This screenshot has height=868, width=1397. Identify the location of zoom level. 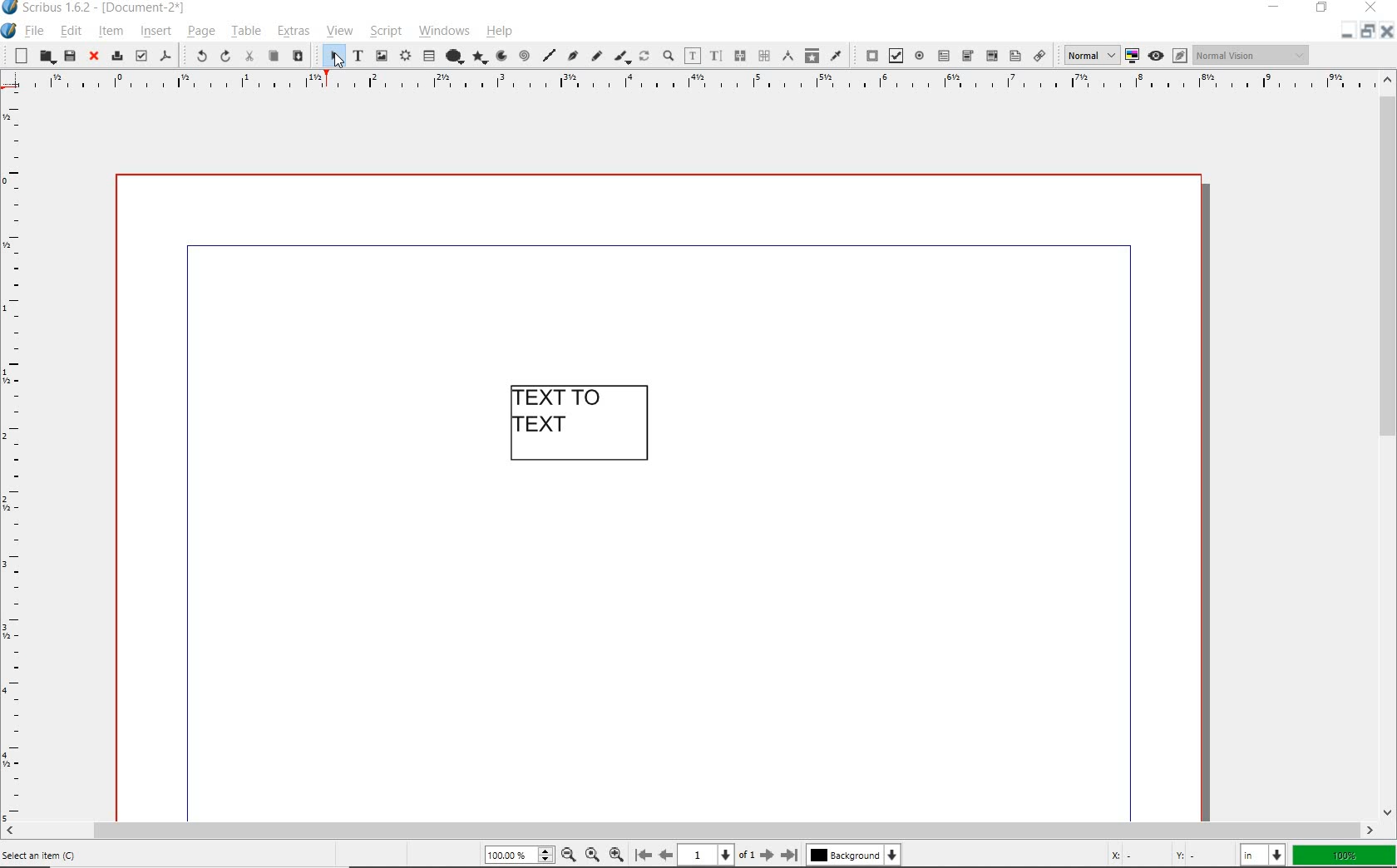
(522, 856).